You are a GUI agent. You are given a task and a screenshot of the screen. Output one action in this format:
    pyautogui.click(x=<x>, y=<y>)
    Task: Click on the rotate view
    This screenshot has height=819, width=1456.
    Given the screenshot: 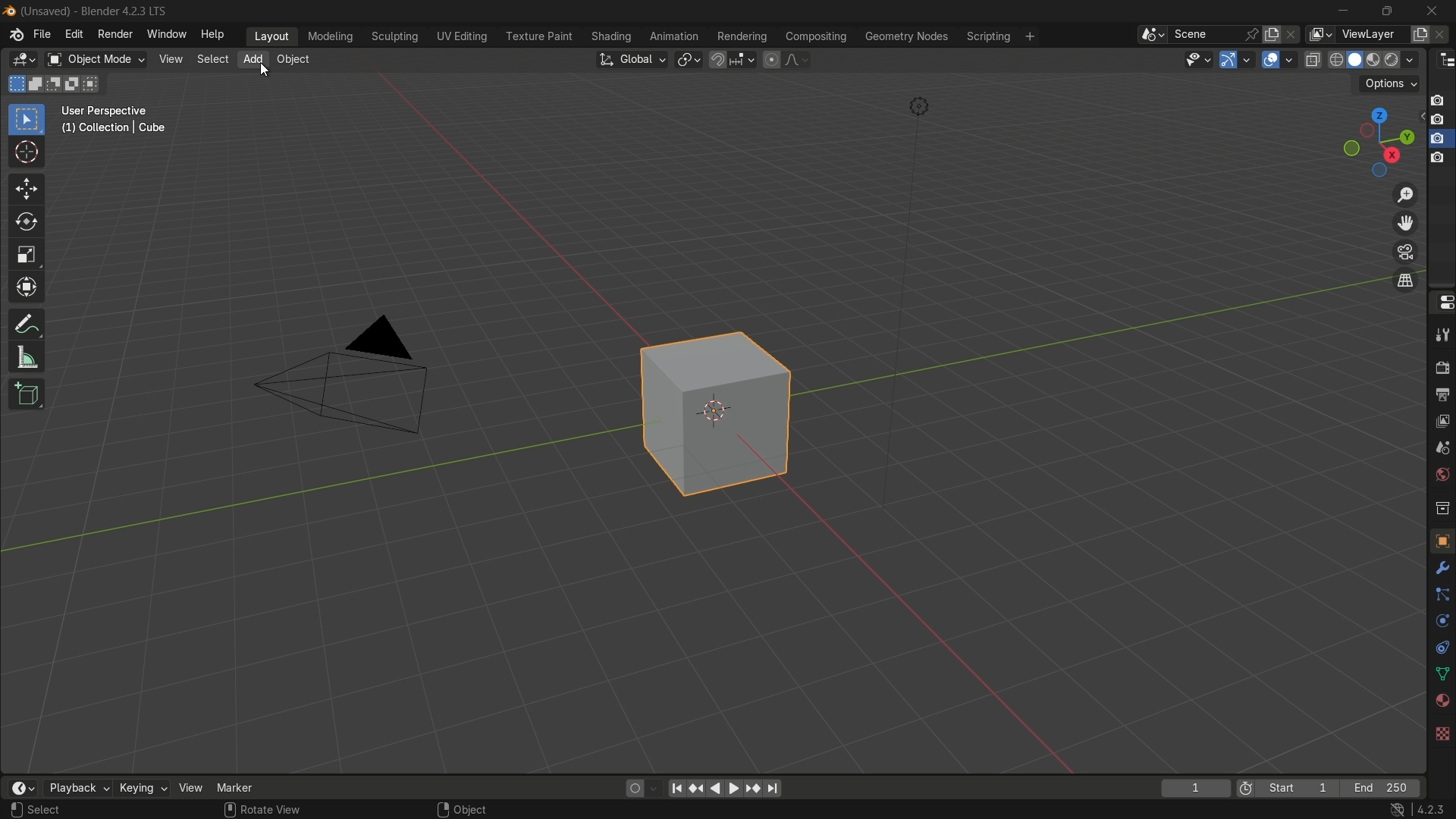 What is the action you would take?
    pyautogui.click(x=273, y=808)
    